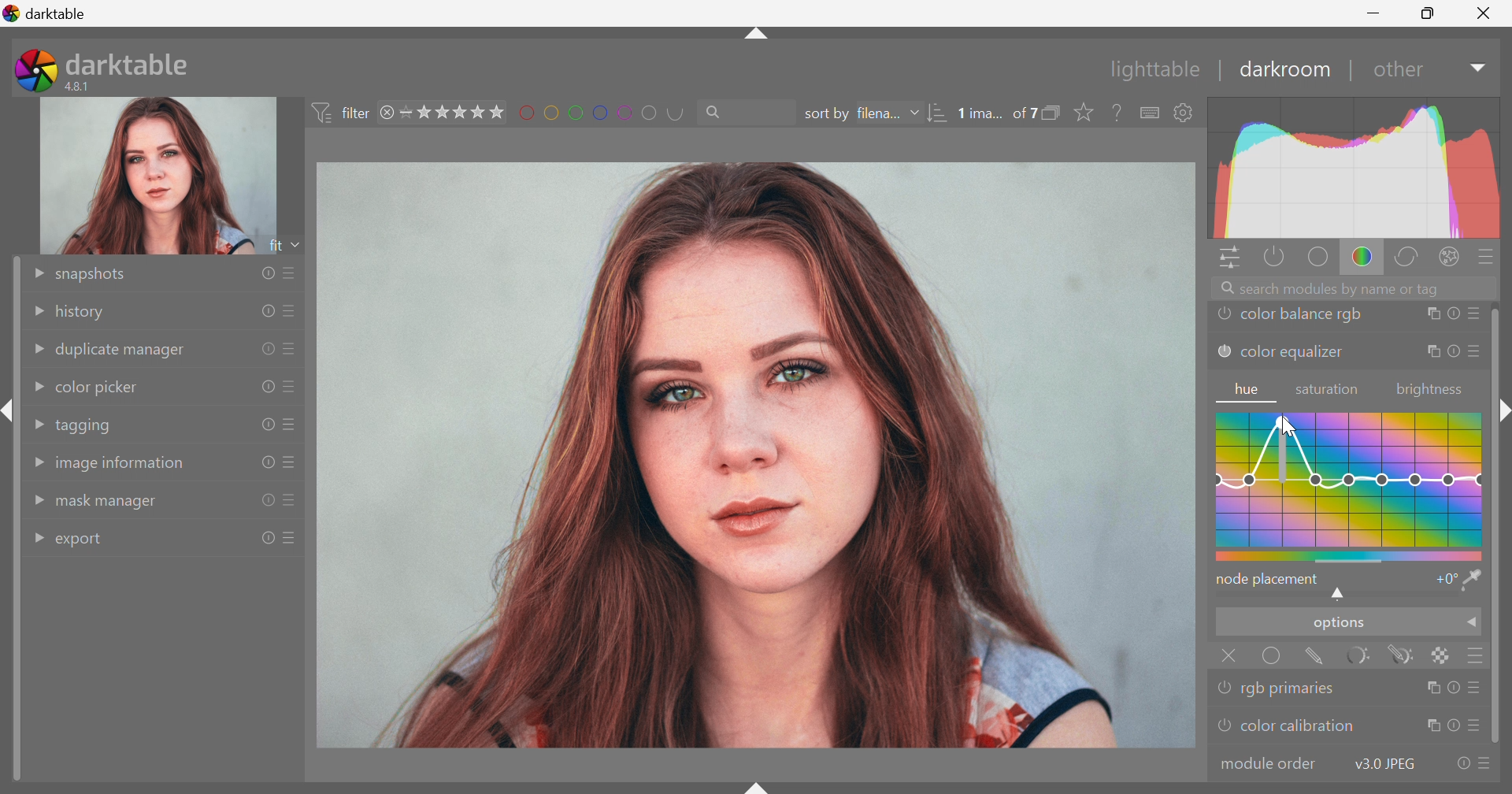  Describe the element at coordinates (1476, 69) in the screenshot. I see `Drop Down` at that location.